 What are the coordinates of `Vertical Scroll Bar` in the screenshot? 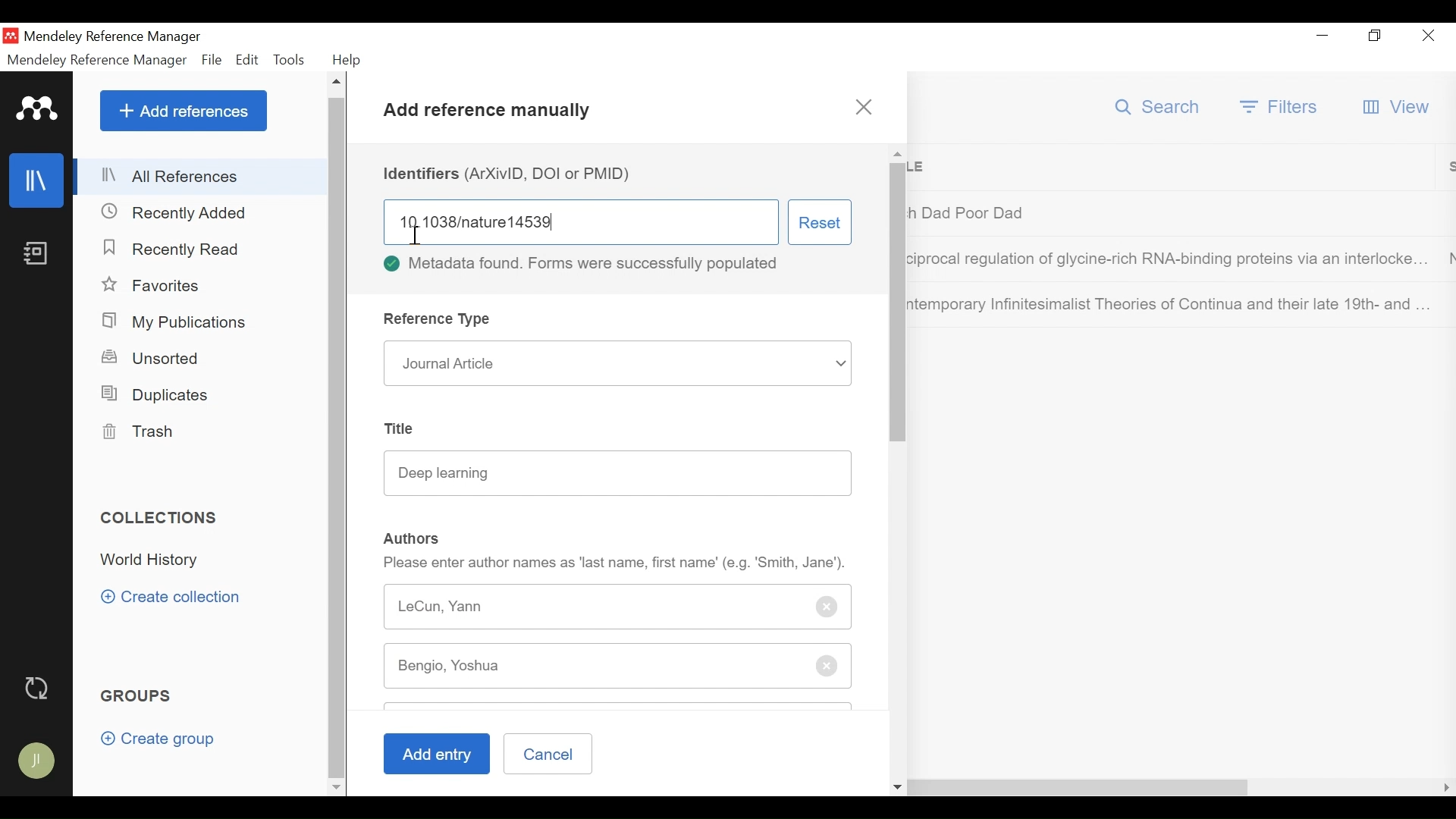 It's located at (899, 315).